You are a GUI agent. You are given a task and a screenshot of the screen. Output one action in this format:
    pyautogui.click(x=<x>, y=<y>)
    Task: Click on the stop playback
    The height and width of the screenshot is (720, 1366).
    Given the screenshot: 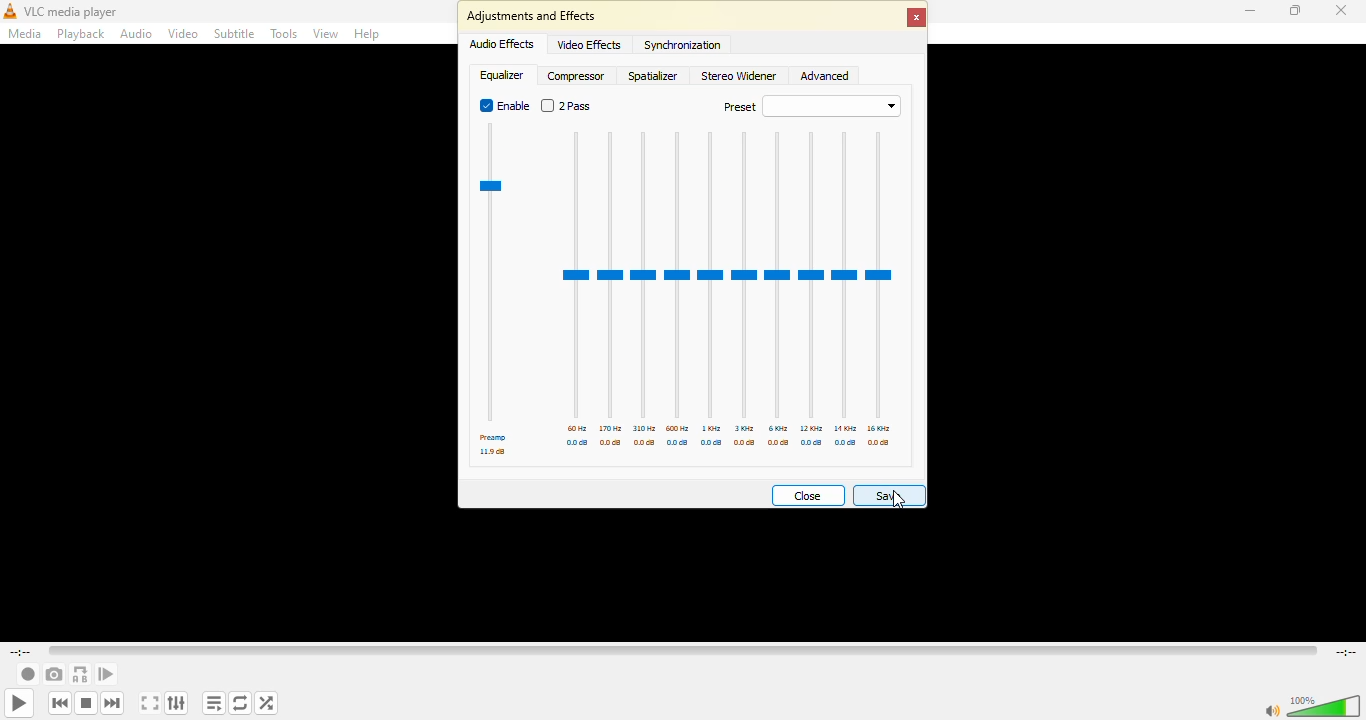 What is the action you would take?
    pyautogui.click(x=86, y=701)
    